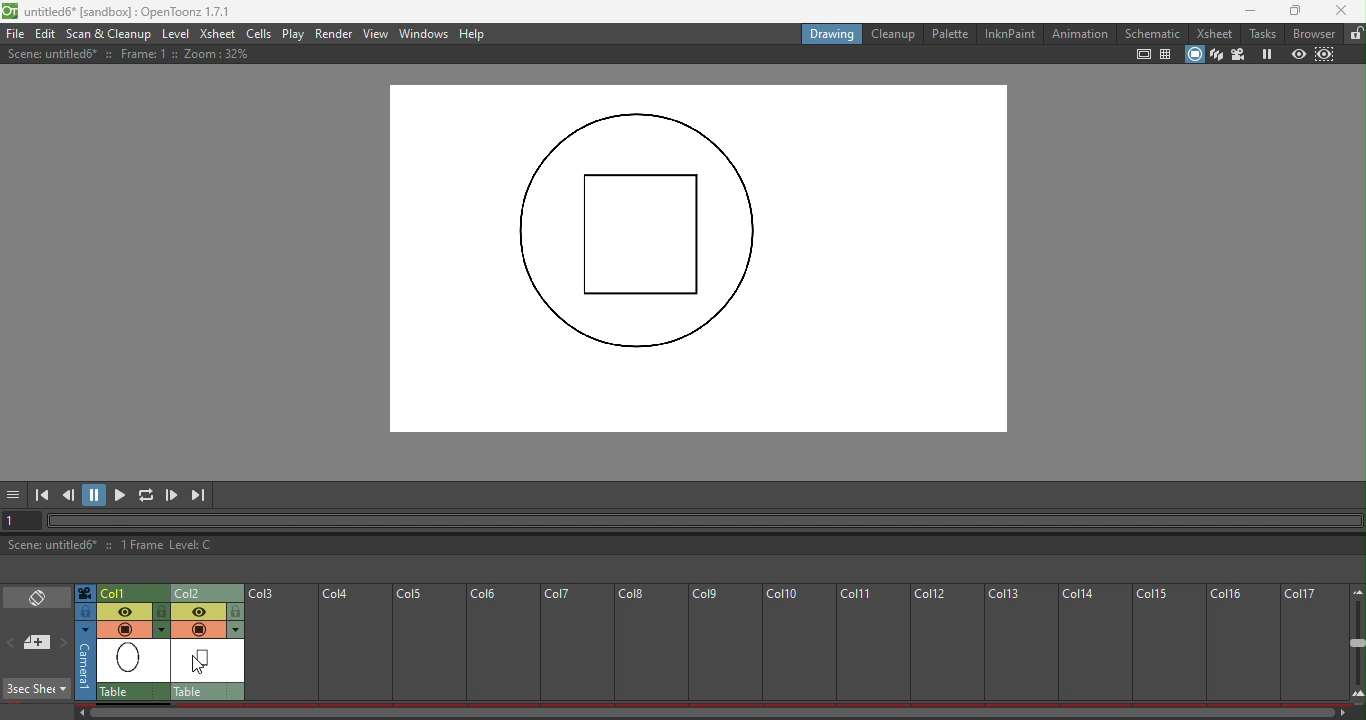 This screenshot has width=1366, height=720. I want to click on Click to select camera, so click(85, 661).